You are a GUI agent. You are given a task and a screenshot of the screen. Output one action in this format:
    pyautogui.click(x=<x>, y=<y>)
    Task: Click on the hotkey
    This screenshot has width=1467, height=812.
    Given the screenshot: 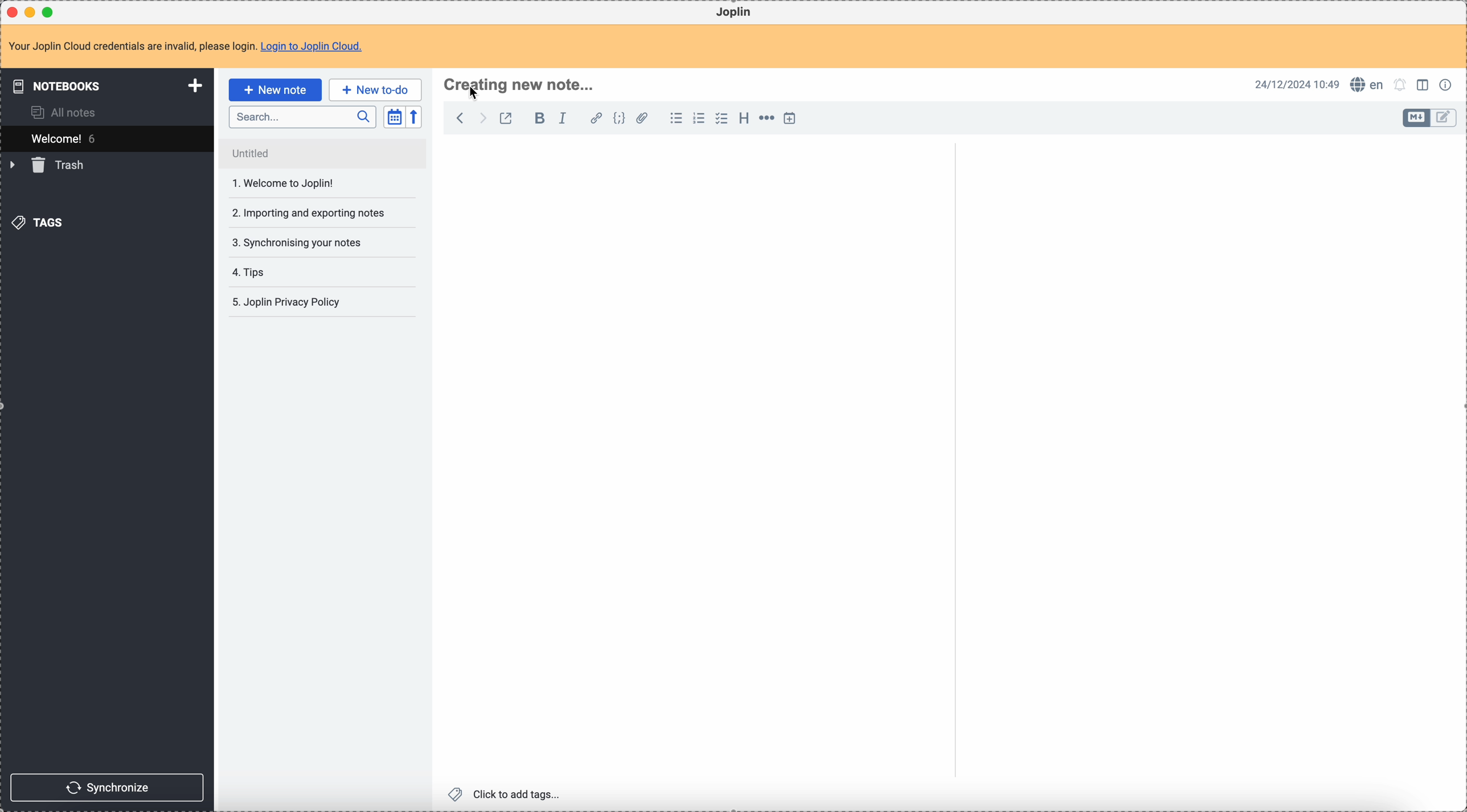 What is the action you would take?
    pyautogui.click(x=519, y=88)
    